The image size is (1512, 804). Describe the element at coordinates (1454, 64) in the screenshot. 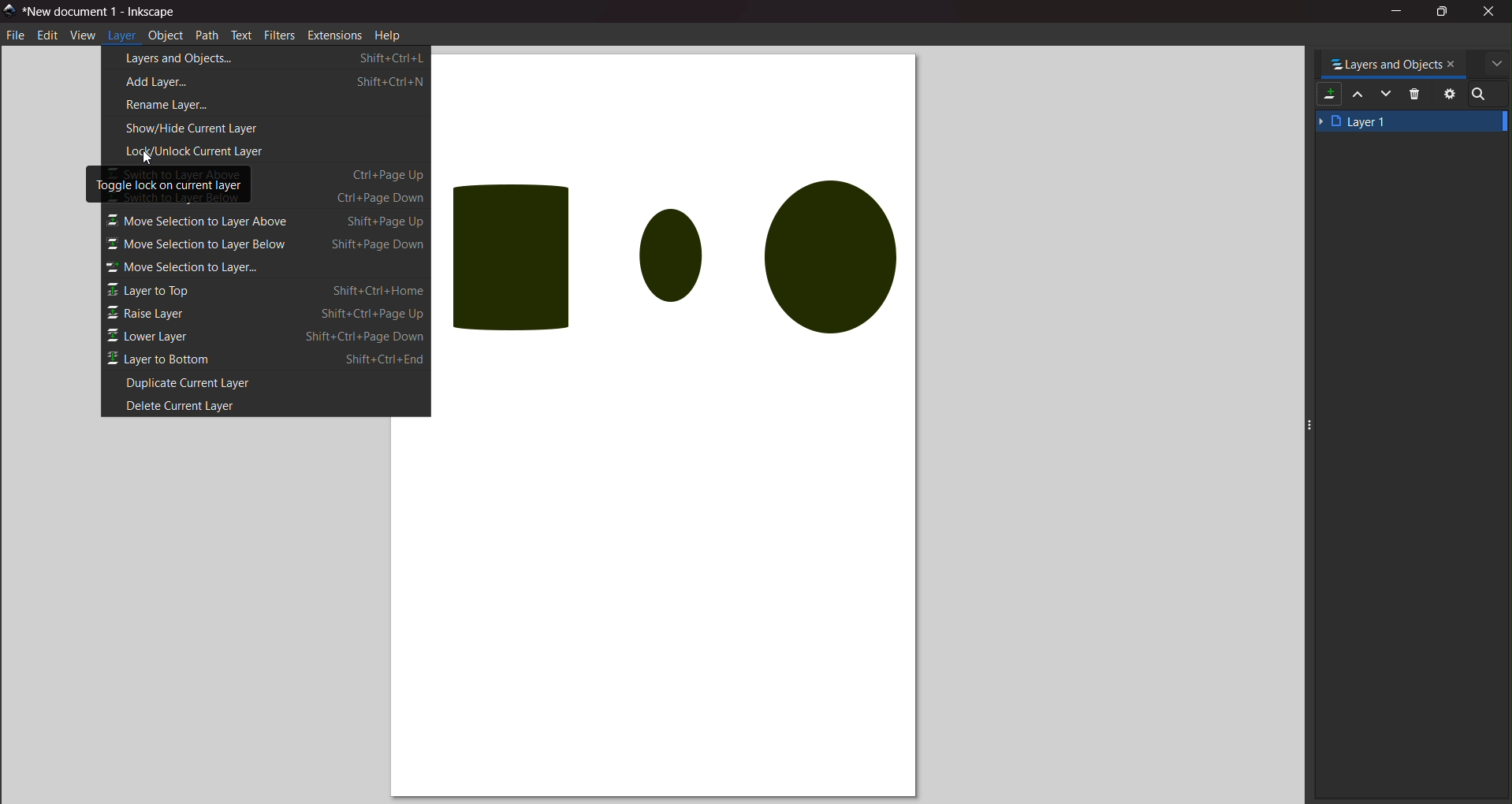

I see `close tab` at that location.